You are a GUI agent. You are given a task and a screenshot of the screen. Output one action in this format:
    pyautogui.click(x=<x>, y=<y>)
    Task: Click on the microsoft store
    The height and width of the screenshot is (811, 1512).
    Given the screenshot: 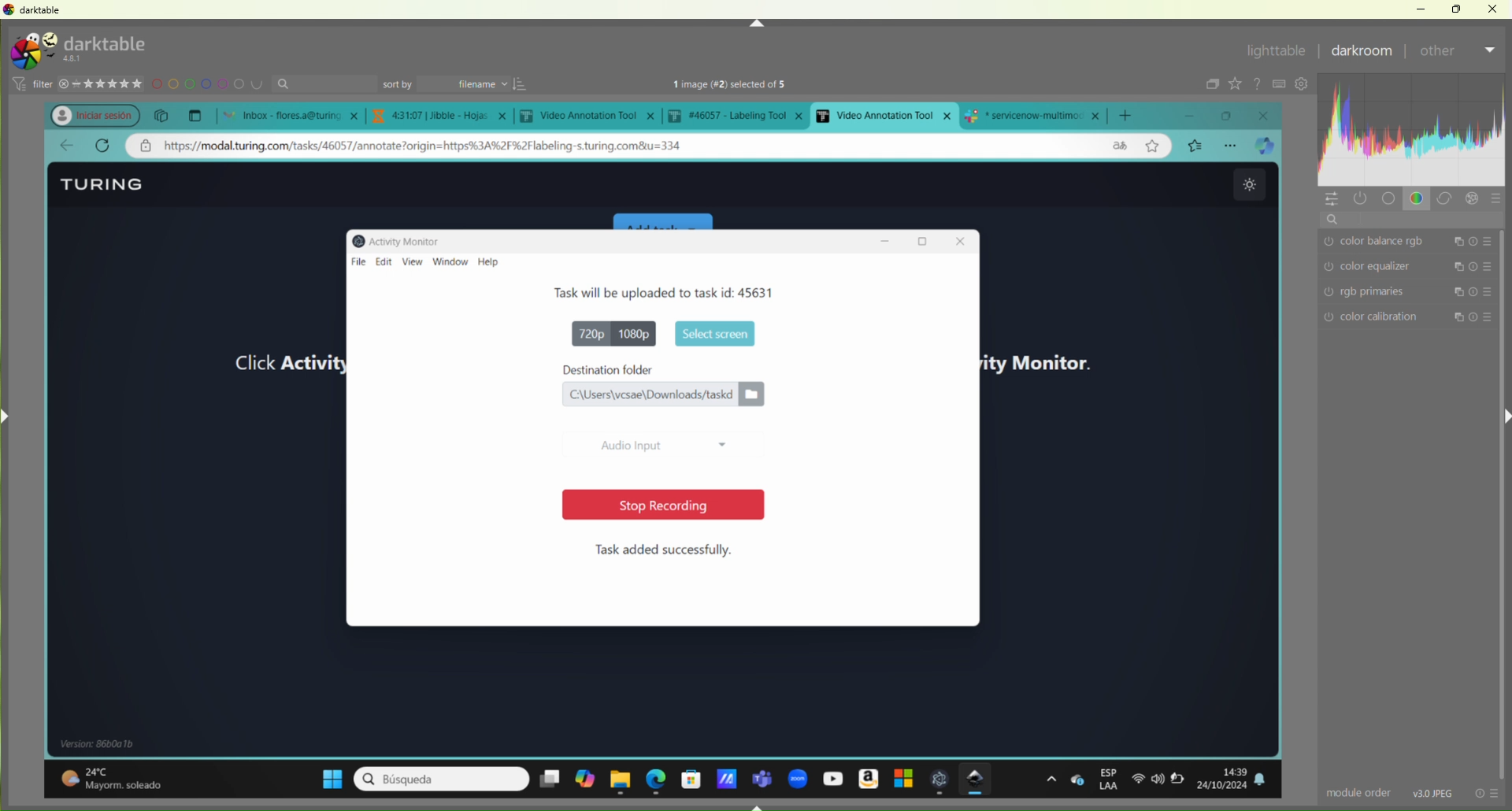 What is the action you would take?
    pyautogui.click(x=691, y=777)
    